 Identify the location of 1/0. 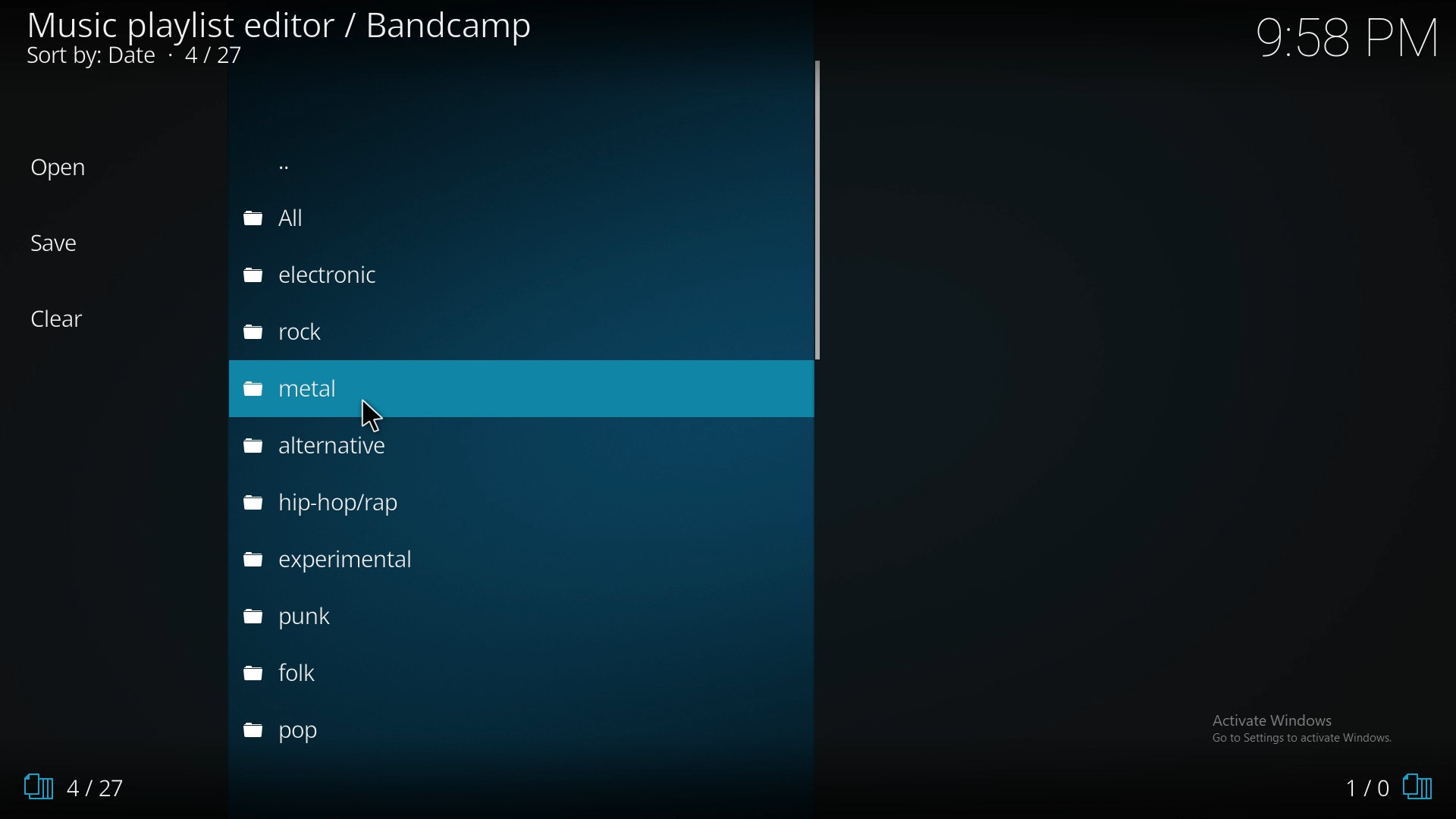
(1388, 789).